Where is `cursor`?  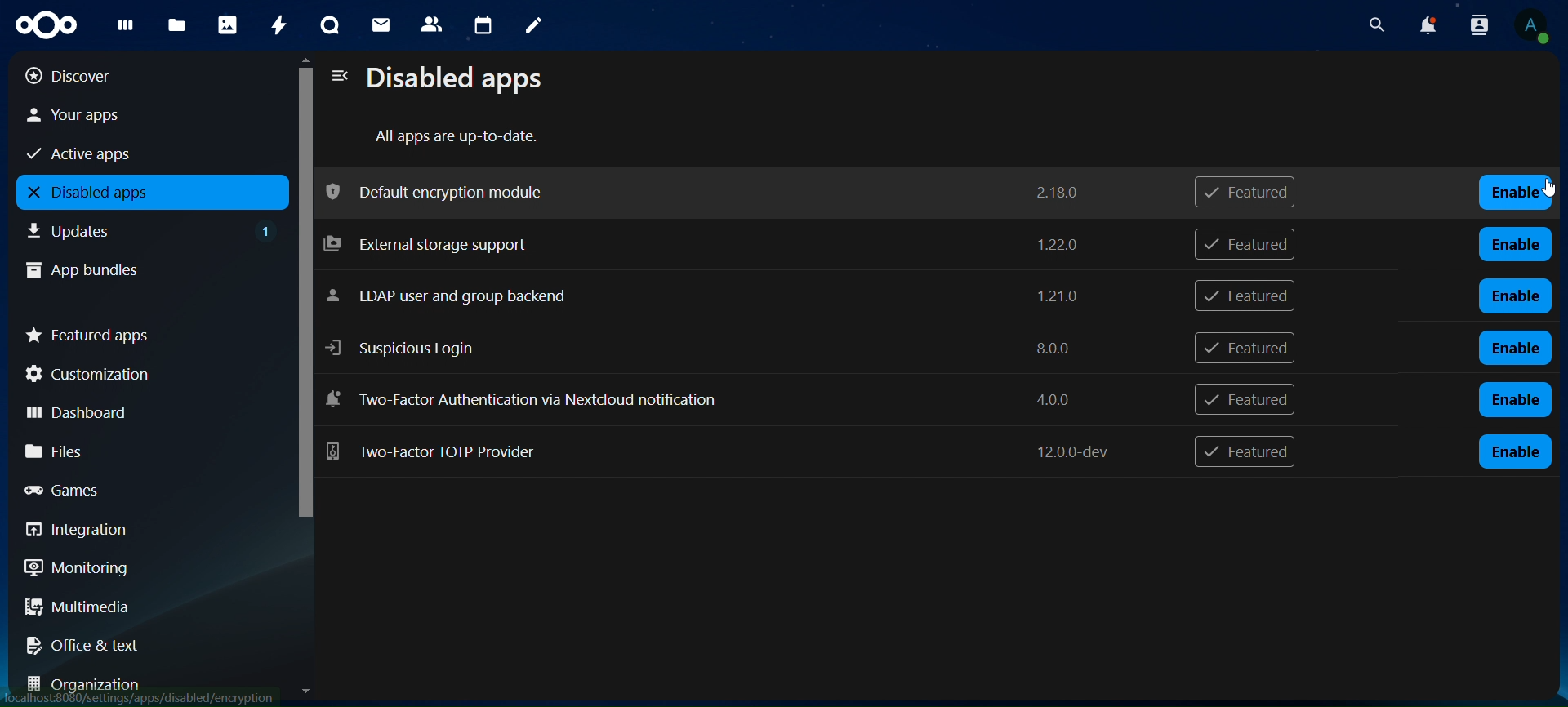
cursor is located at coordinates (1539, 192).